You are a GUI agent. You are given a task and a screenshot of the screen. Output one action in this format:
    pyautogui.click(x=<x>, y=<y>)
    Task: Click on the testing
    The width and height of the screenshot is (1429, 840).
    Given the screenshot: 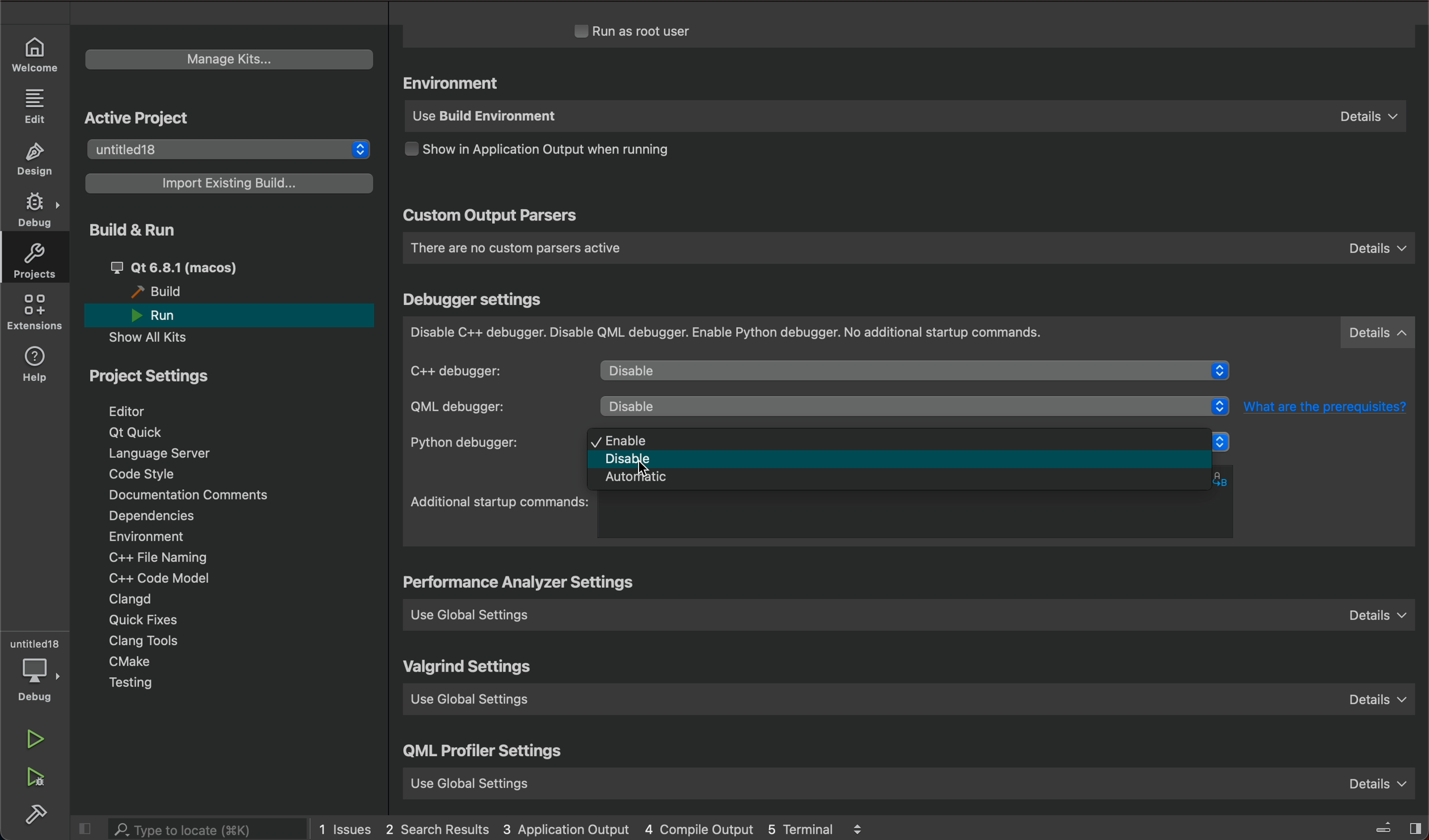 What is the action you would take?
    pyautogui.click(x=133, y=683)
    